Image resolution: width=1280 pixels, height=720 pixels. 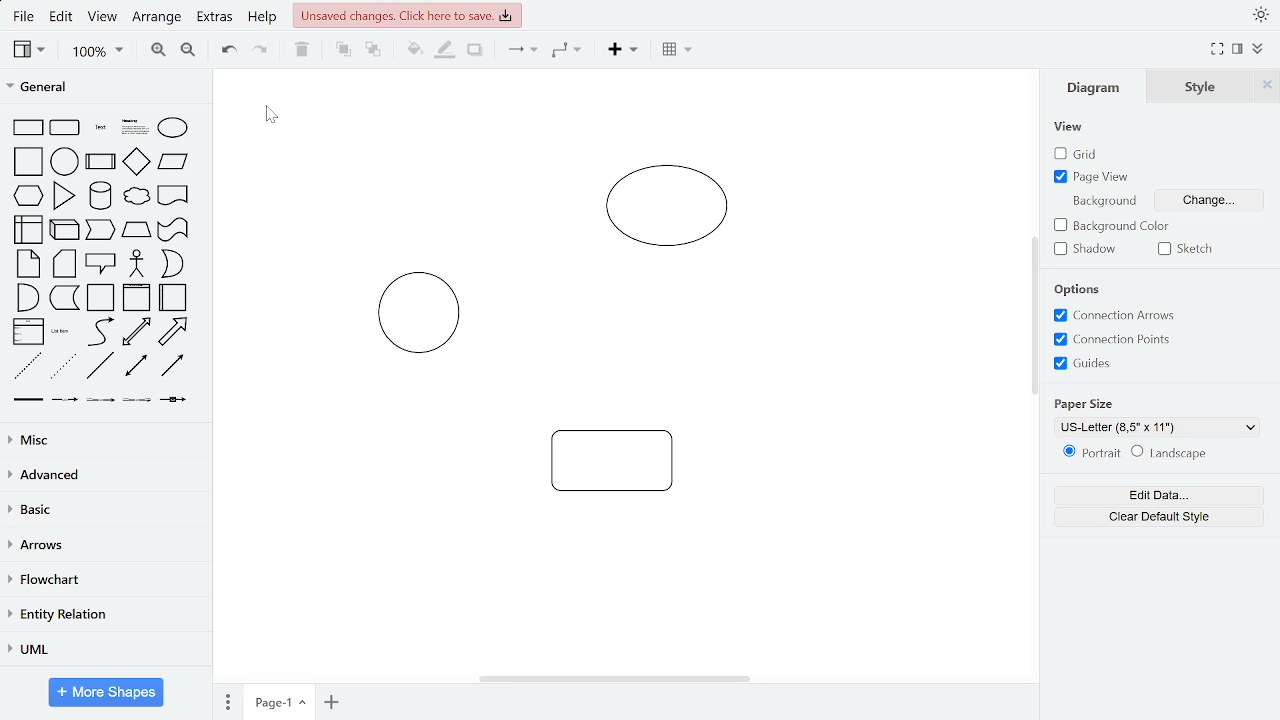 I want to click on vertical scrollbar, so click(x=1032, y=314).